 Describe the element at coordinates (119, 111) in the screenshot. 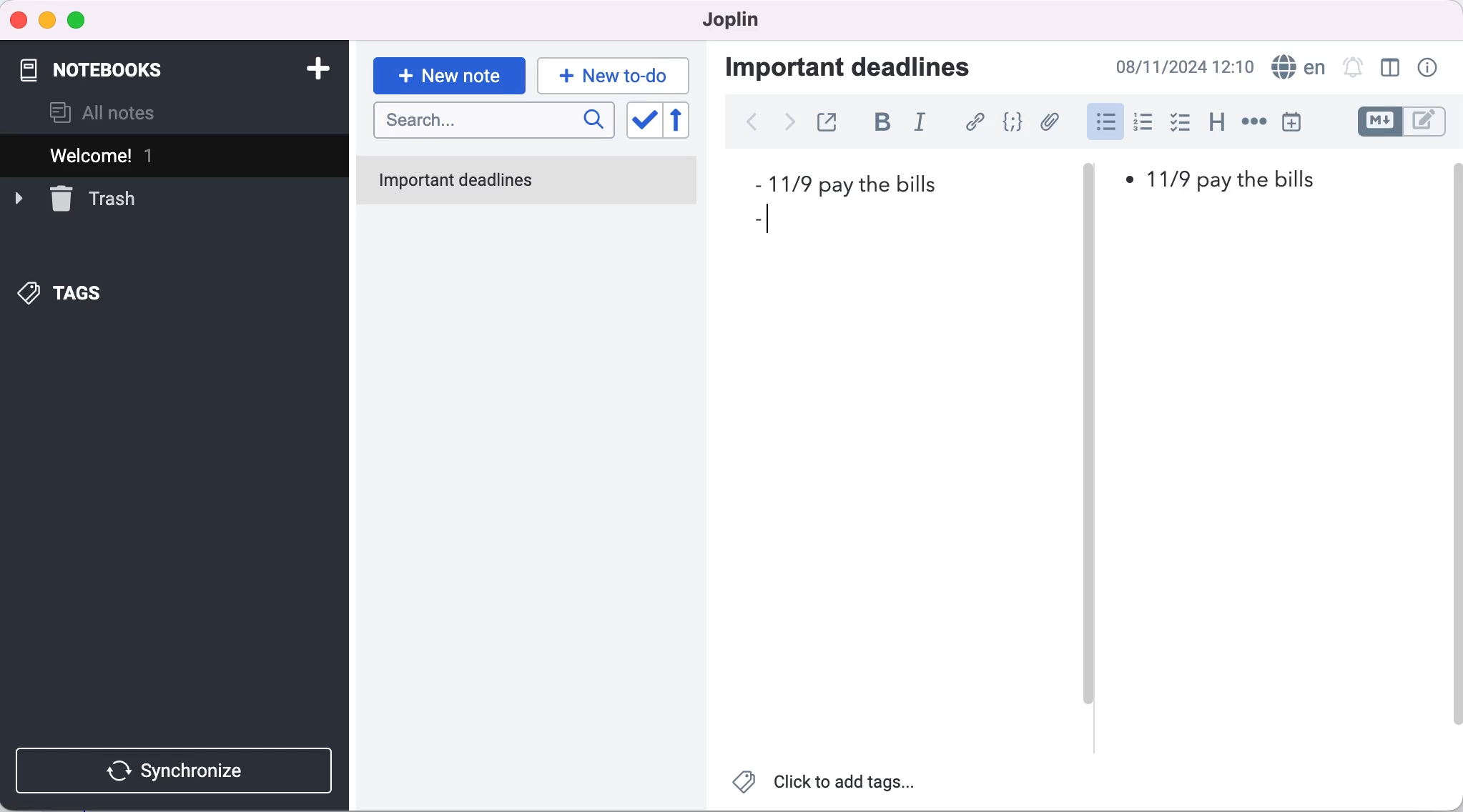

I see `all notes` at that location.